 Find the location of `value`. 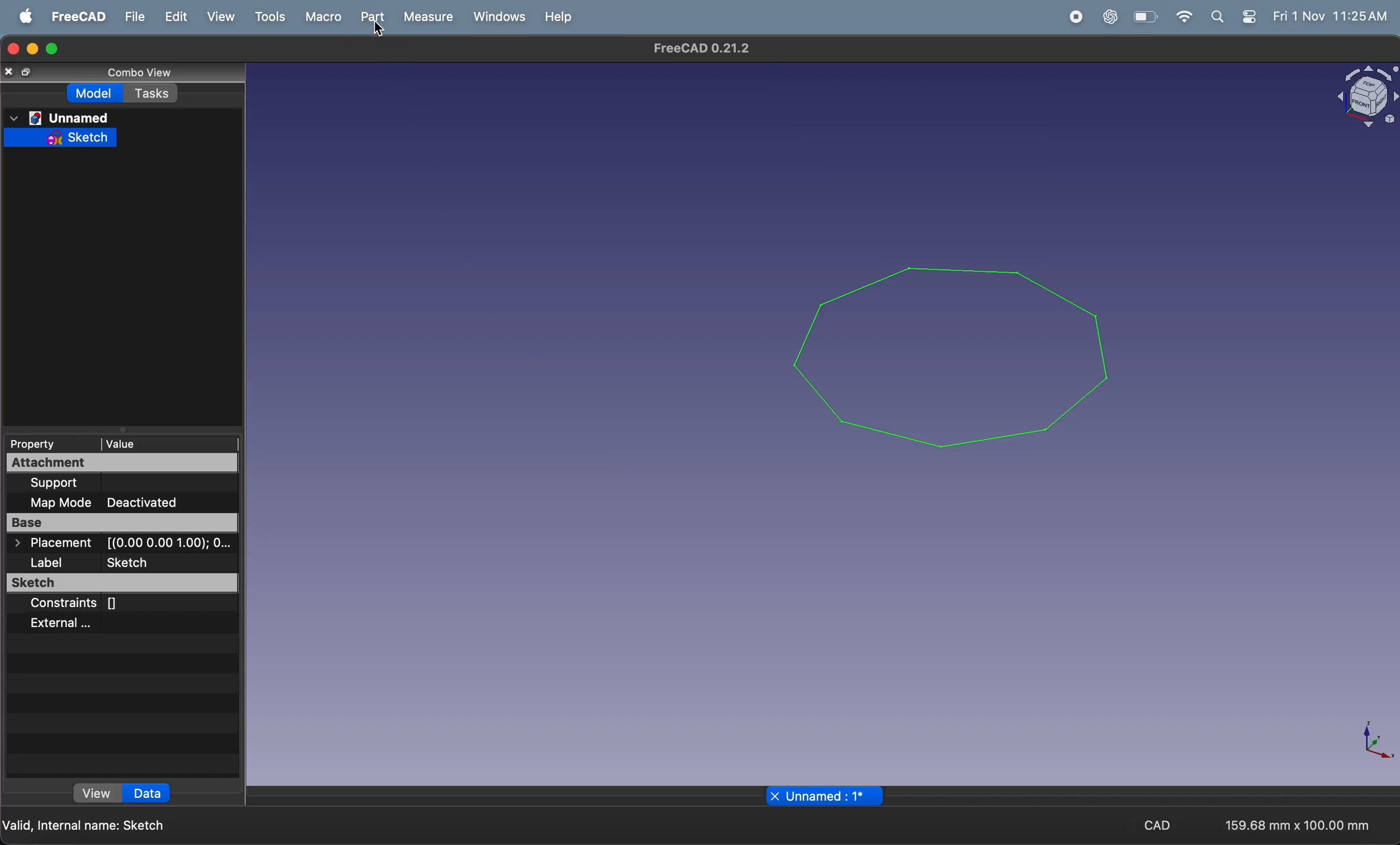

value is located at coordinates (170, 443).